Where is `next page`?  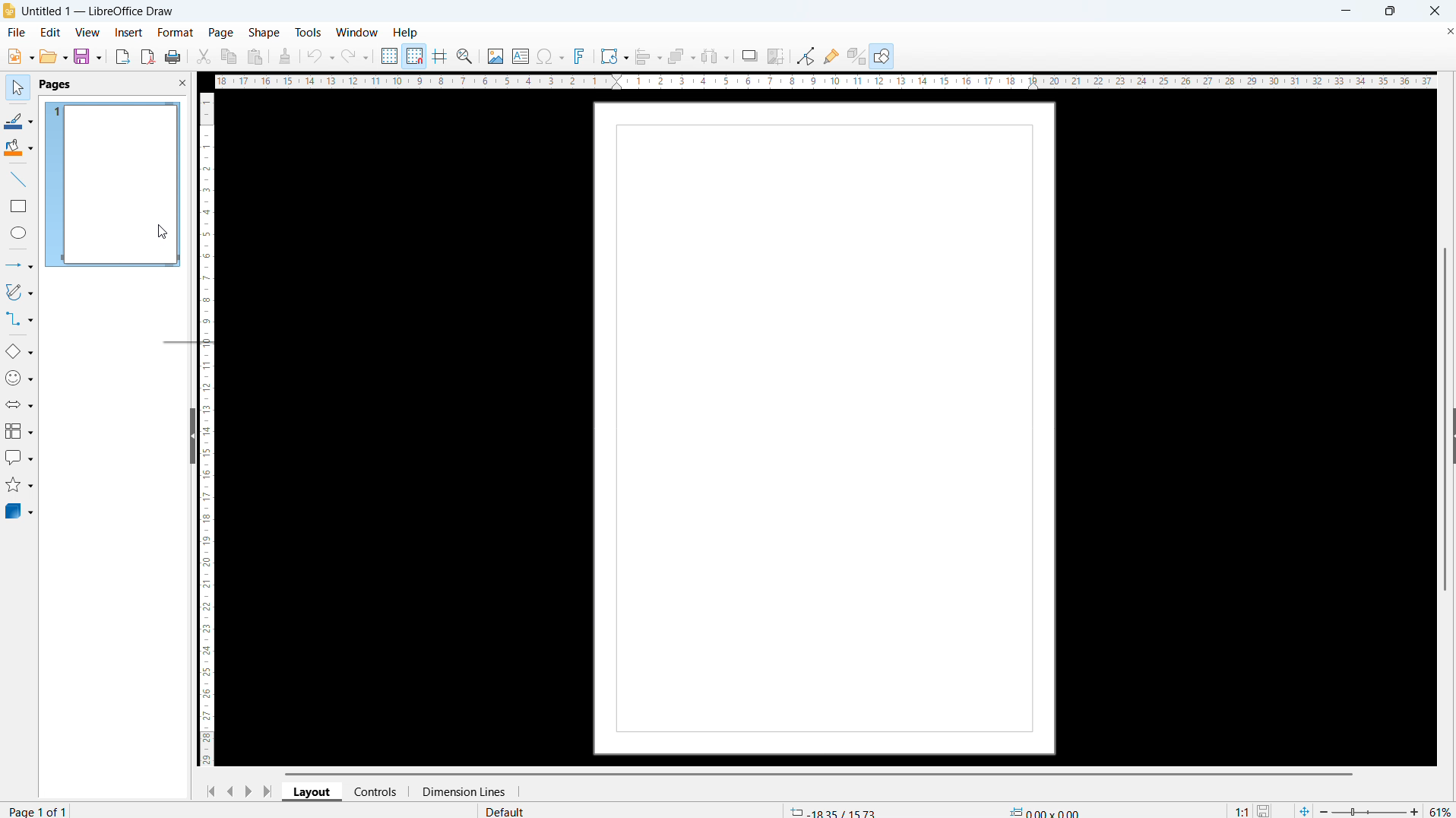 next page is located at coordinates (248, 791).